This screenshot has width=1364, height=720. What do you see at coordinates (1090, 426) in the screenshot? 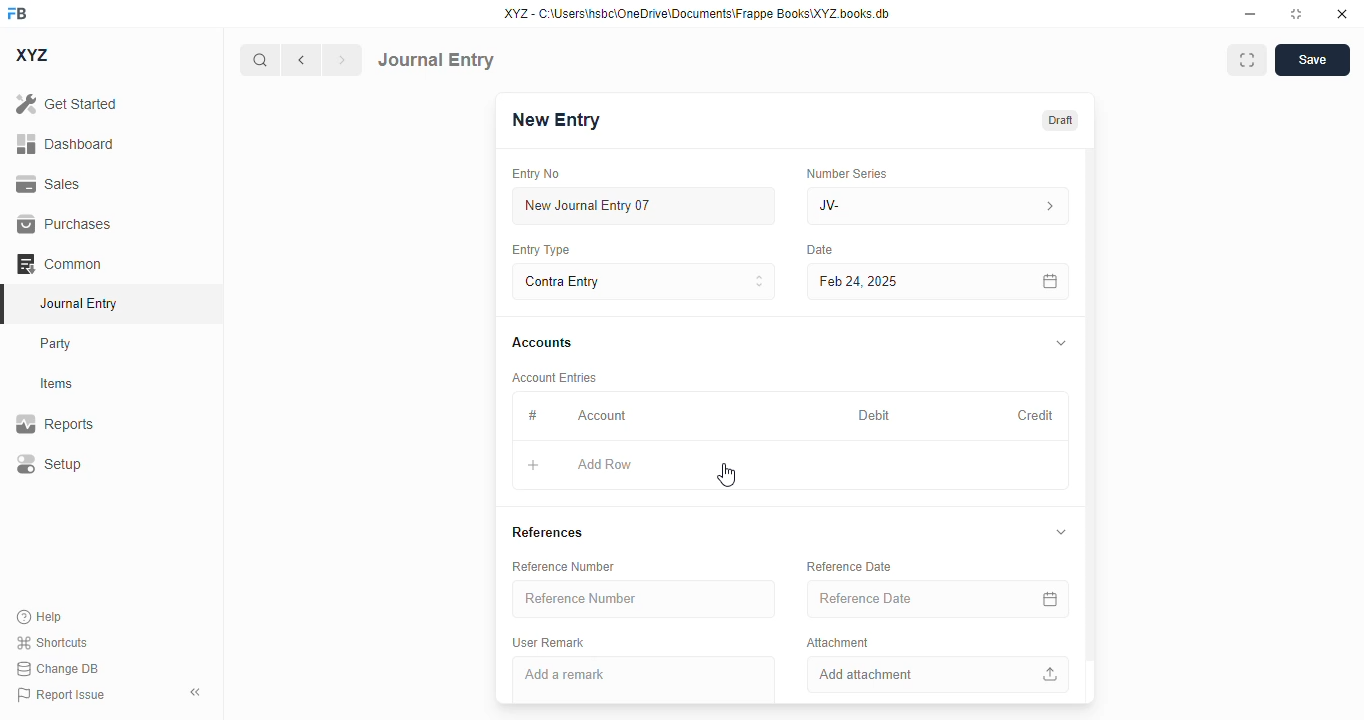
I see `vertical scroll bar` at bounding box center [1090, 426].